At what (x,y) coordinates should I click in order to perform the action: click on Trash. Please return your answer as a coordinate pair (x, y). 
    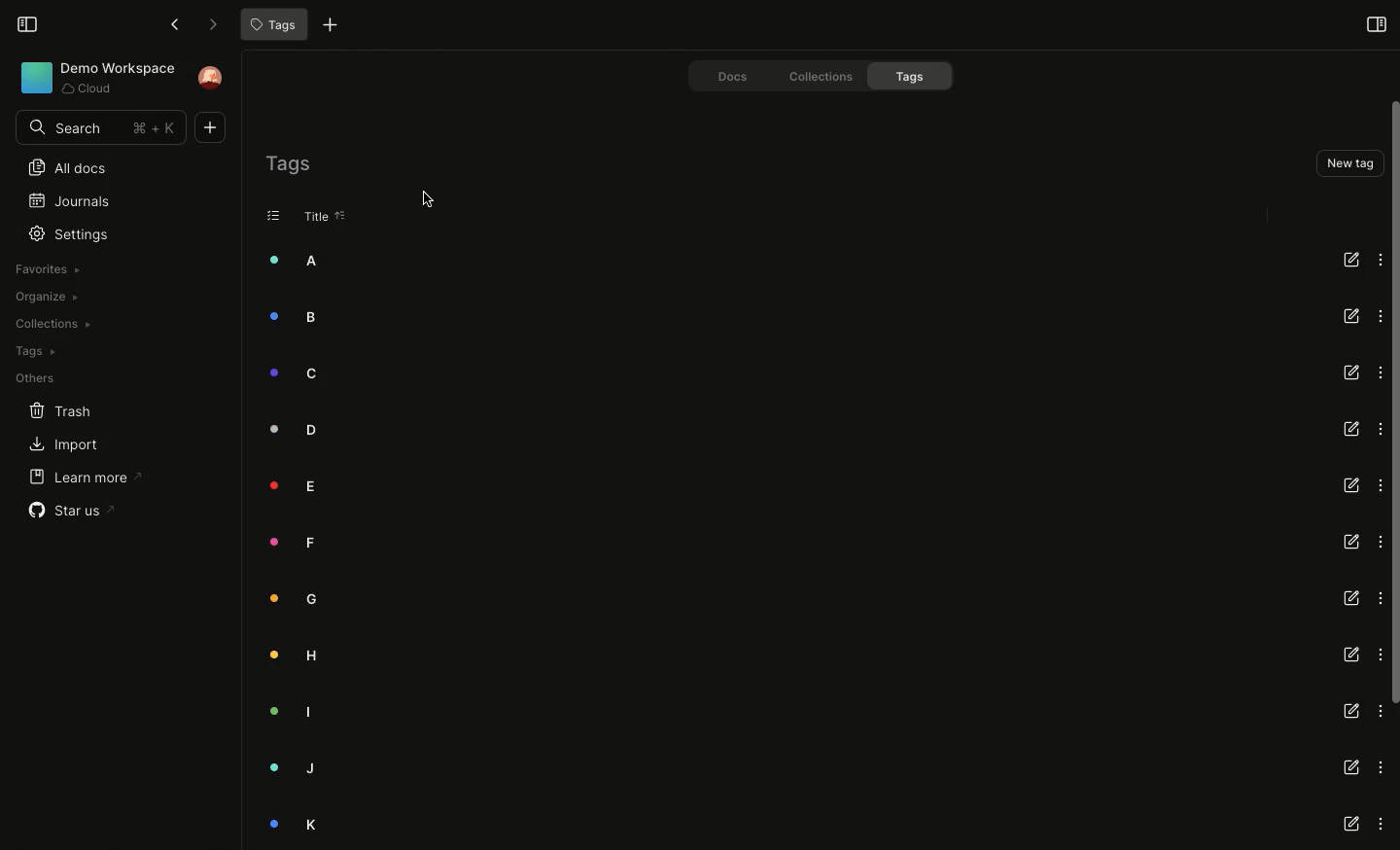
    Looking at the image, I should click on (49, 409).